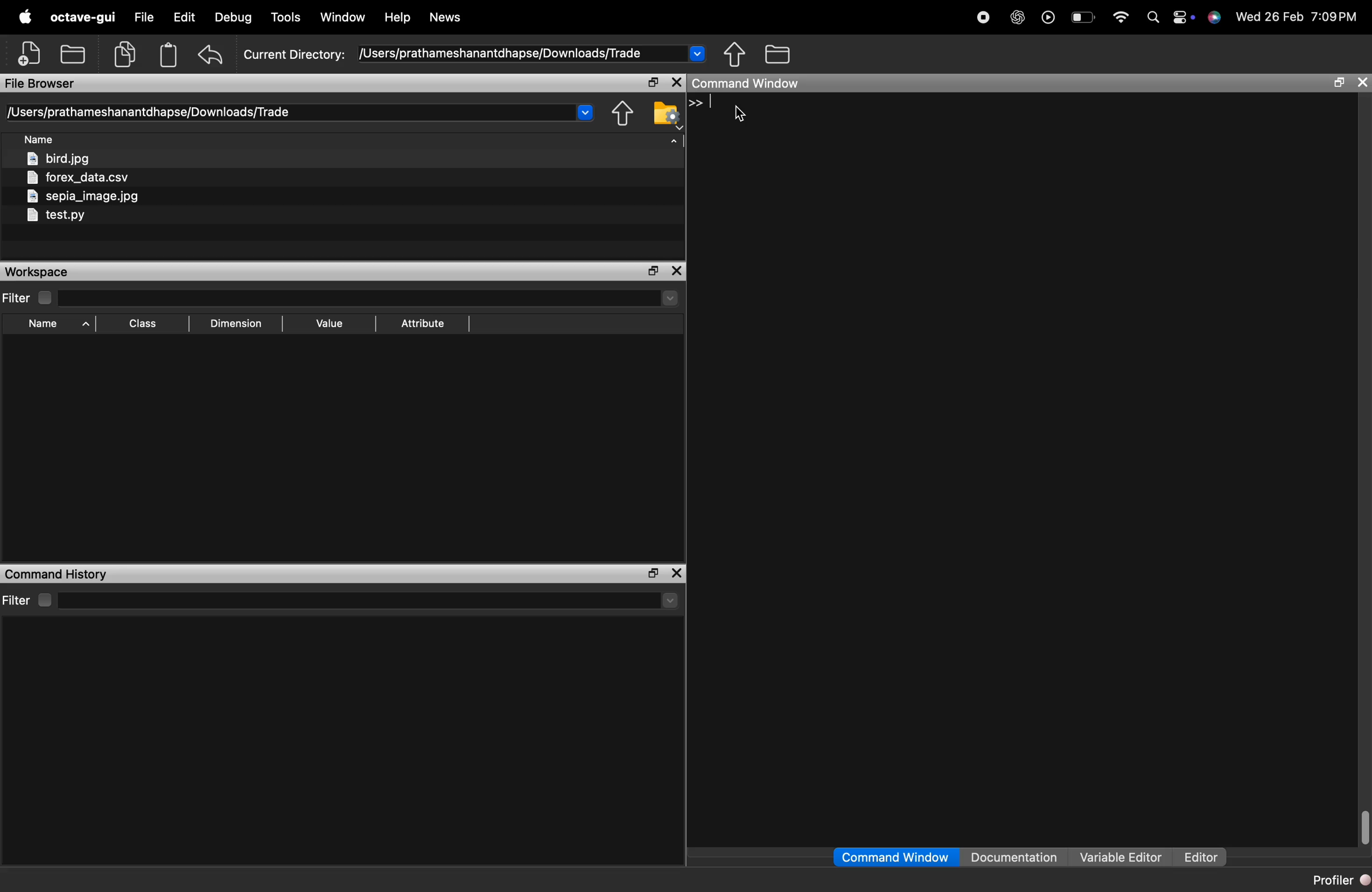  I want to click on edit, so click(187, 17).